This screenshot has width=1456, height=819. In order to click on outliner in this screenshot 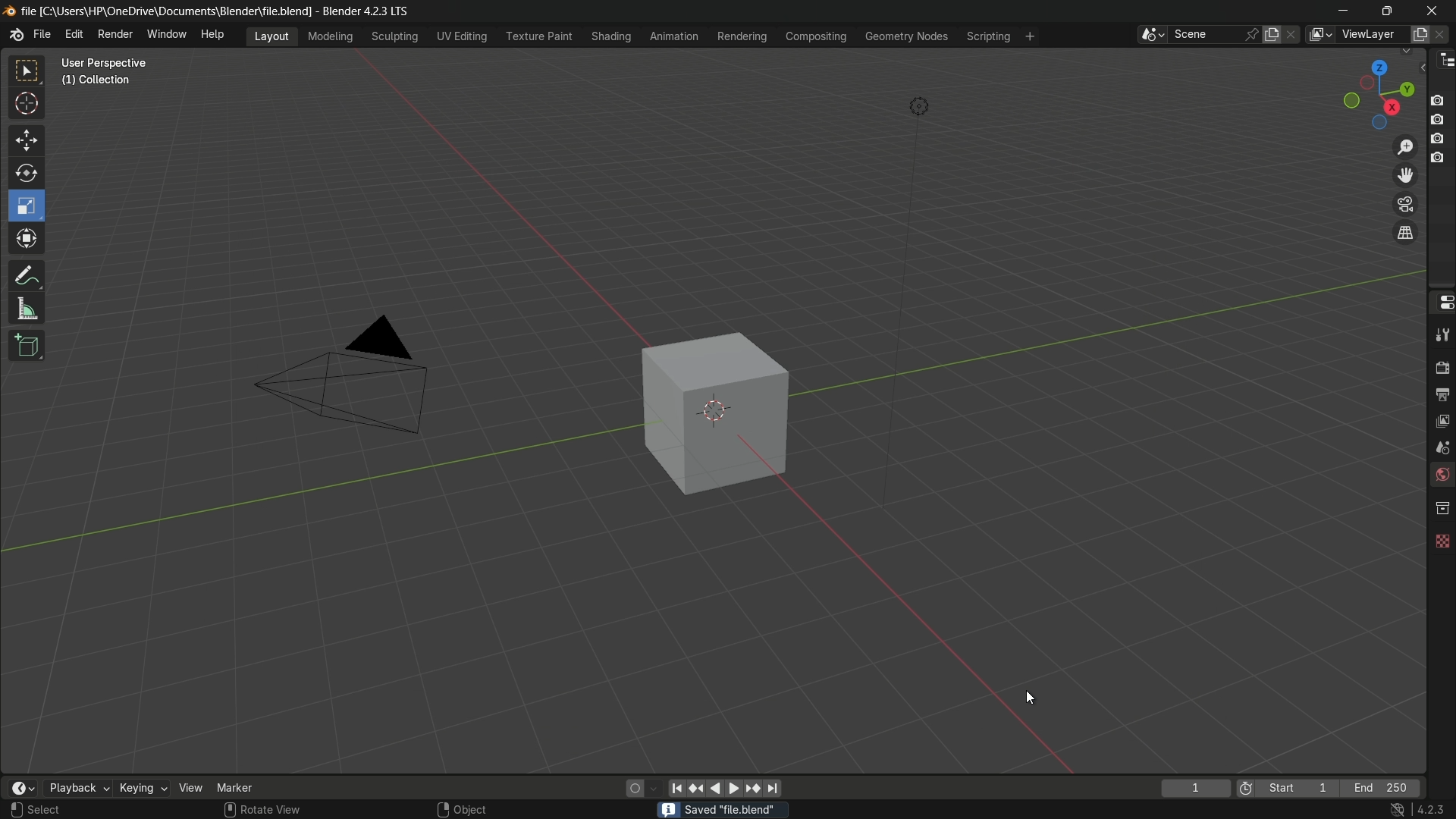, I will do `click(1442, 59)`.